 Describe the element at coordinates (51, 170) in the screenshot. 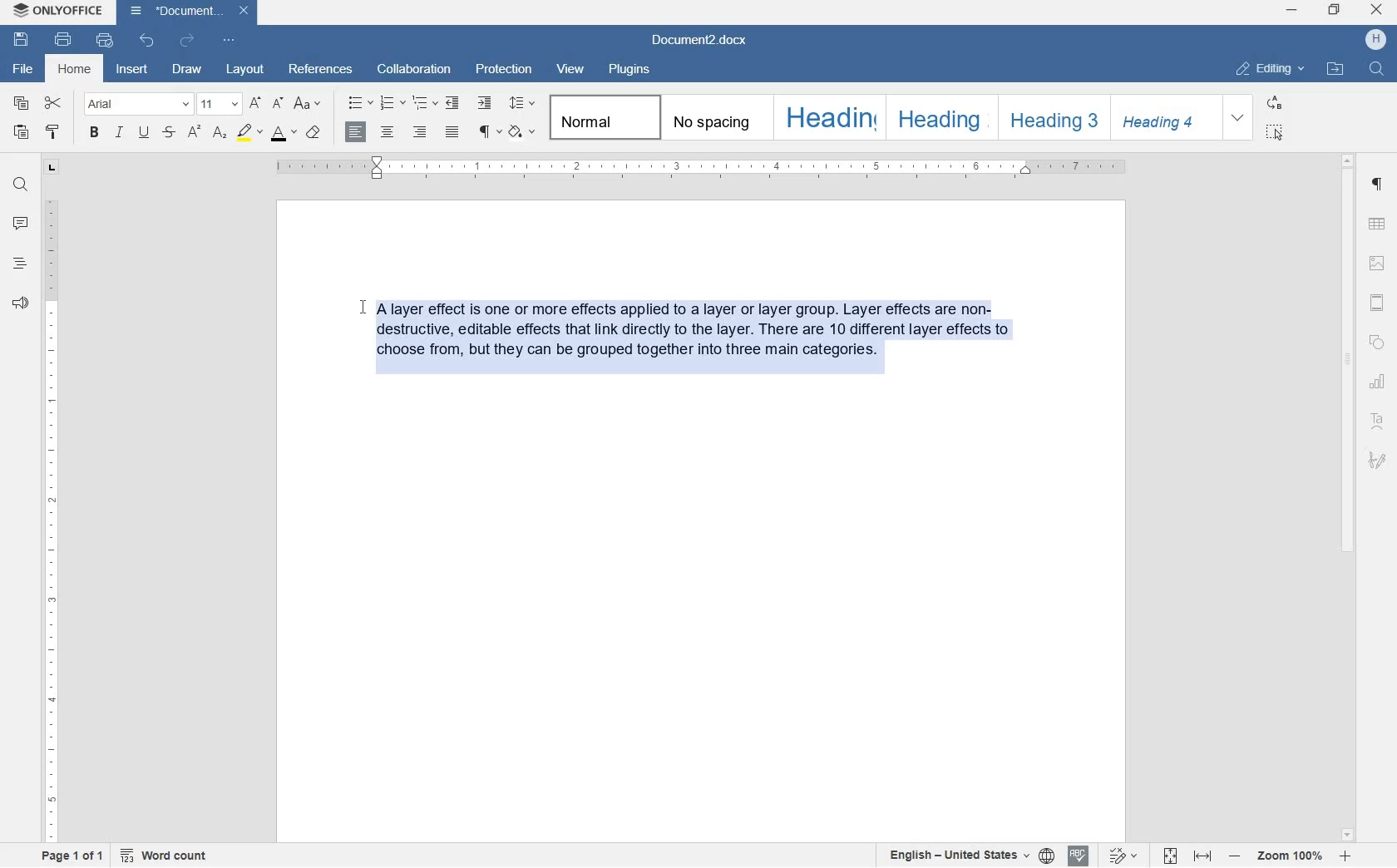

I see `tab stop` at that location.